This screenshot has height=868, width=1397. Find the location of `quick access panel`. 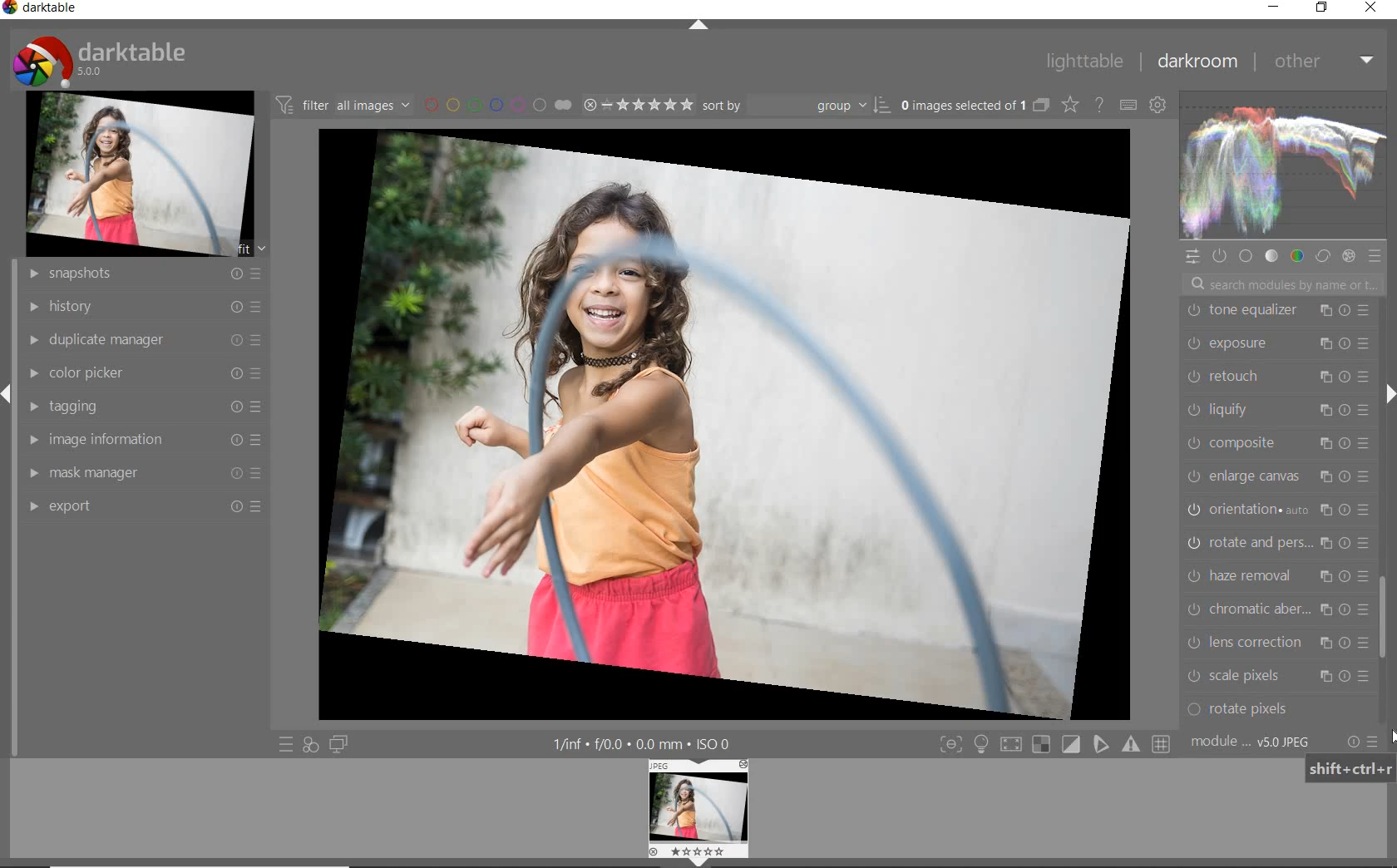

quick access panel is located at coordinates (1190, 259).